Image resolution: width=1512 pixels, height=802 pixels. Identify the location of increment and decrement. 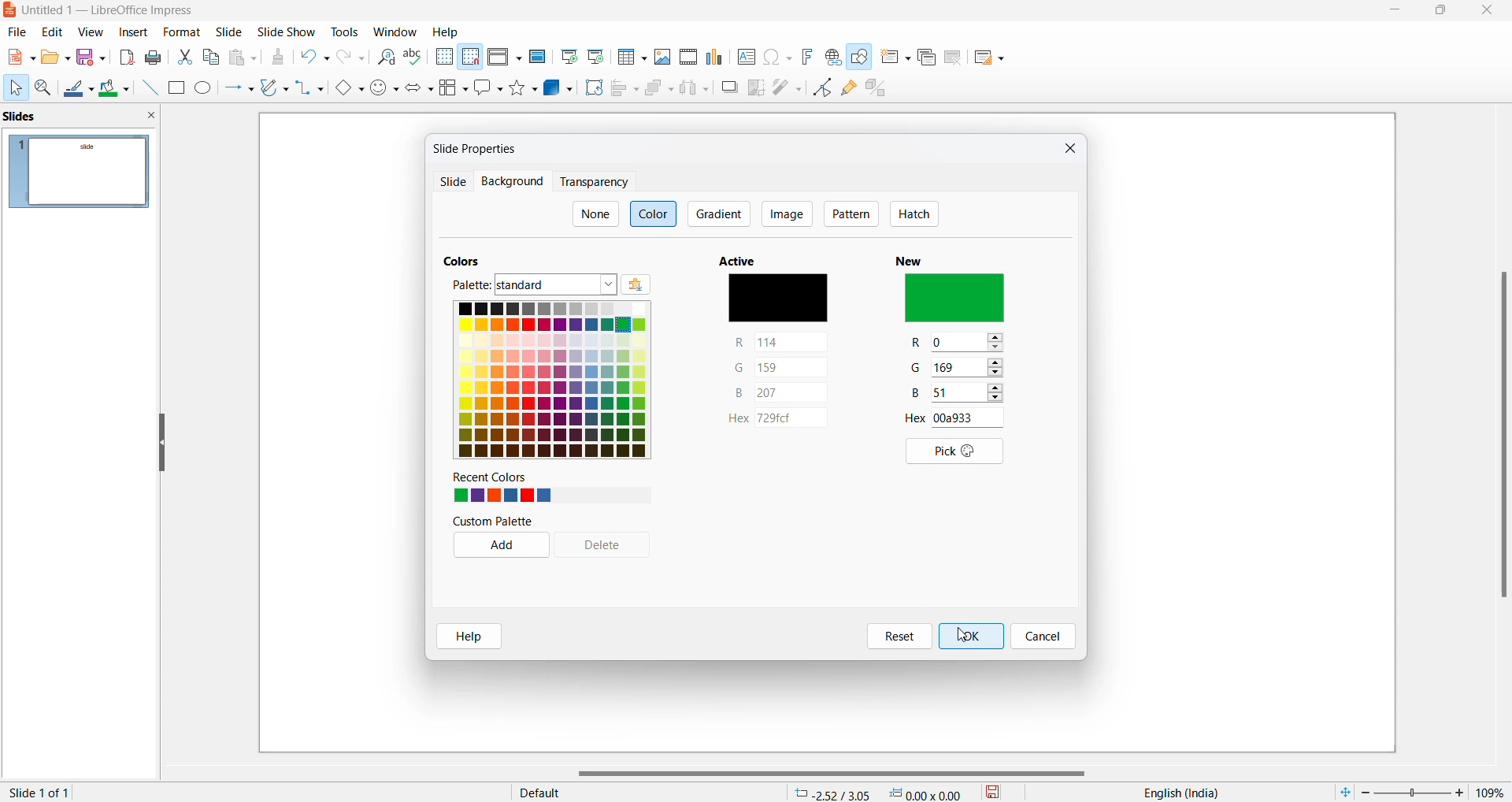
(995, 343).